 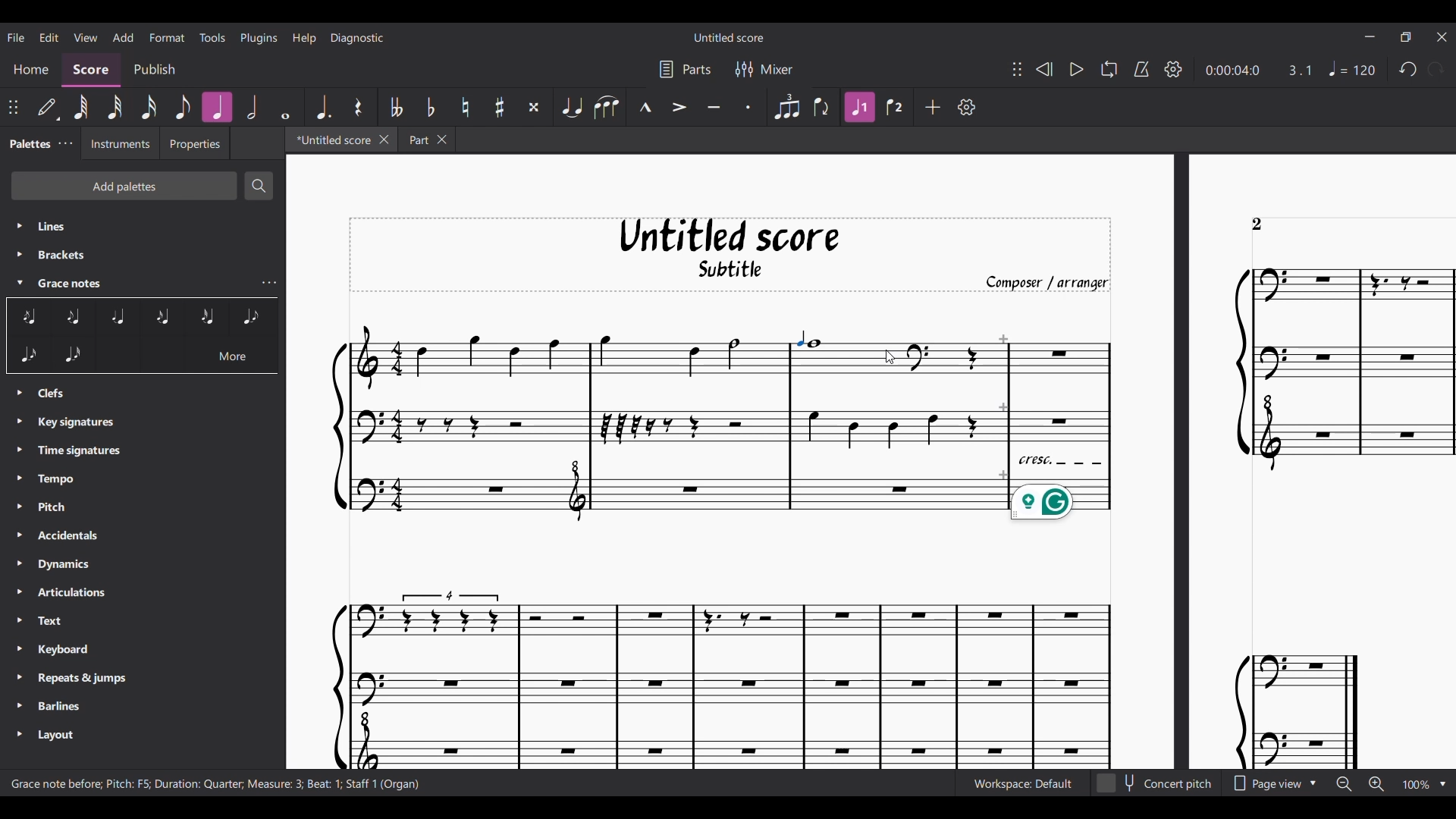 I want to click on Plugins menu, so click(x=259, y=37).